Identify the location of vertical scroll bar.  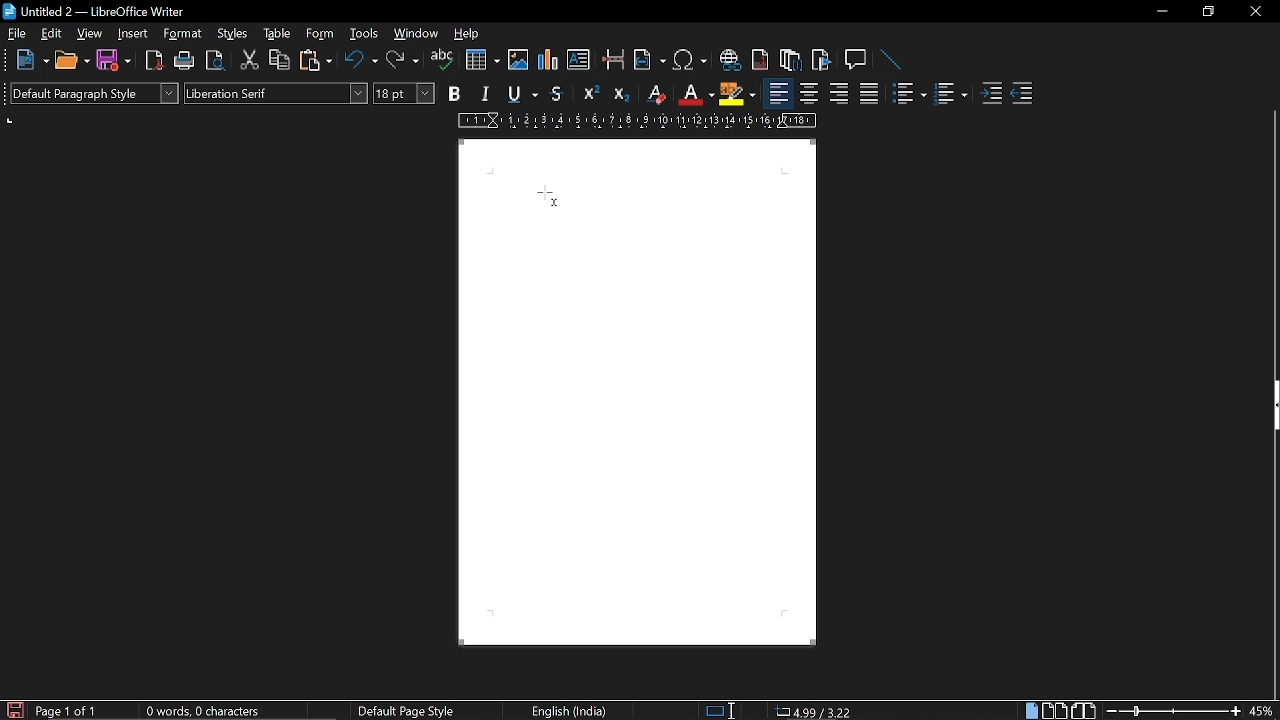
(1272, 242).